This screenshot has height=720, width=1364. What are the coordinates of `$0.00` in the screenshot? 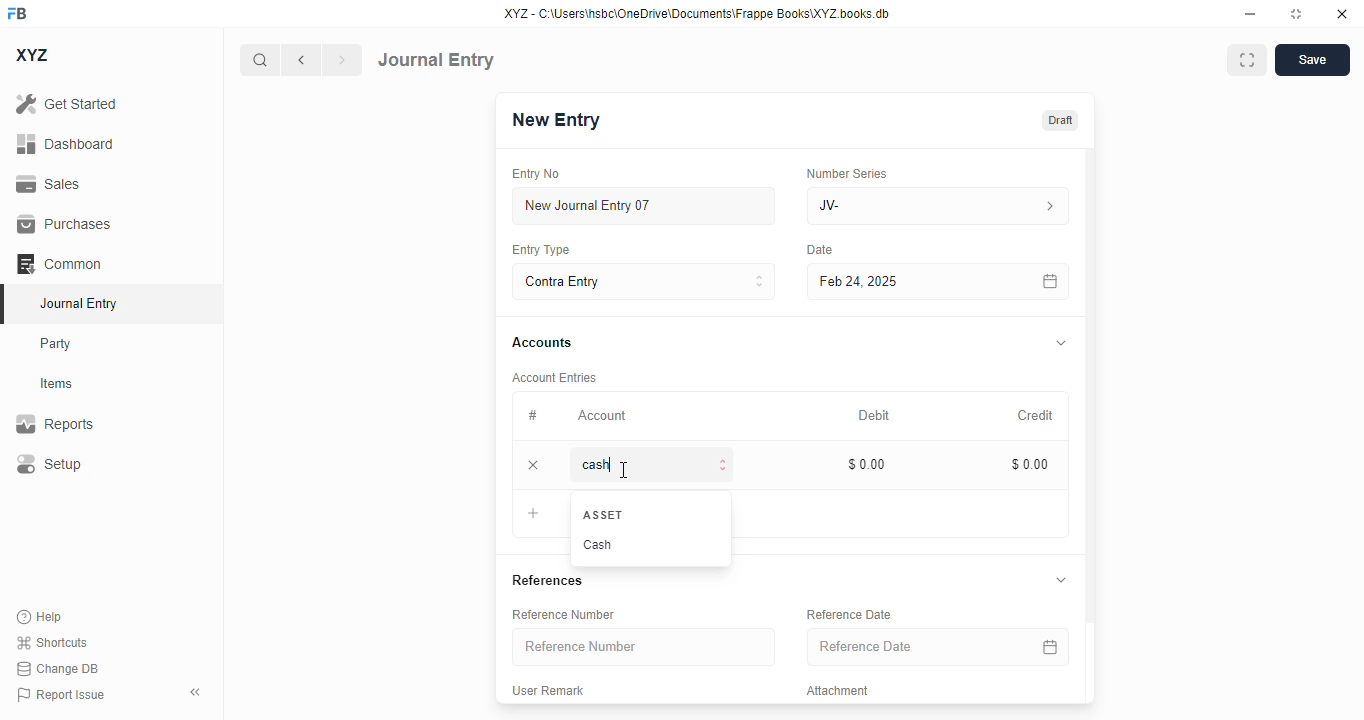 It's located at (868, 464).